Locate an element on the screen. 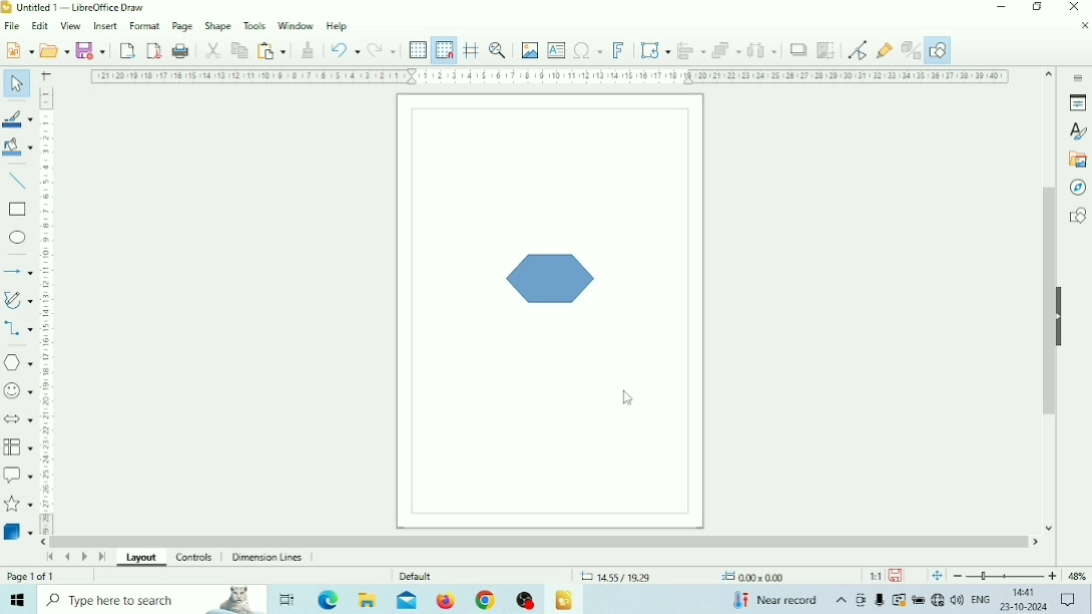 The height and width of the screenshot is (614, 1092). Copy is located at coordinates (239, 50).